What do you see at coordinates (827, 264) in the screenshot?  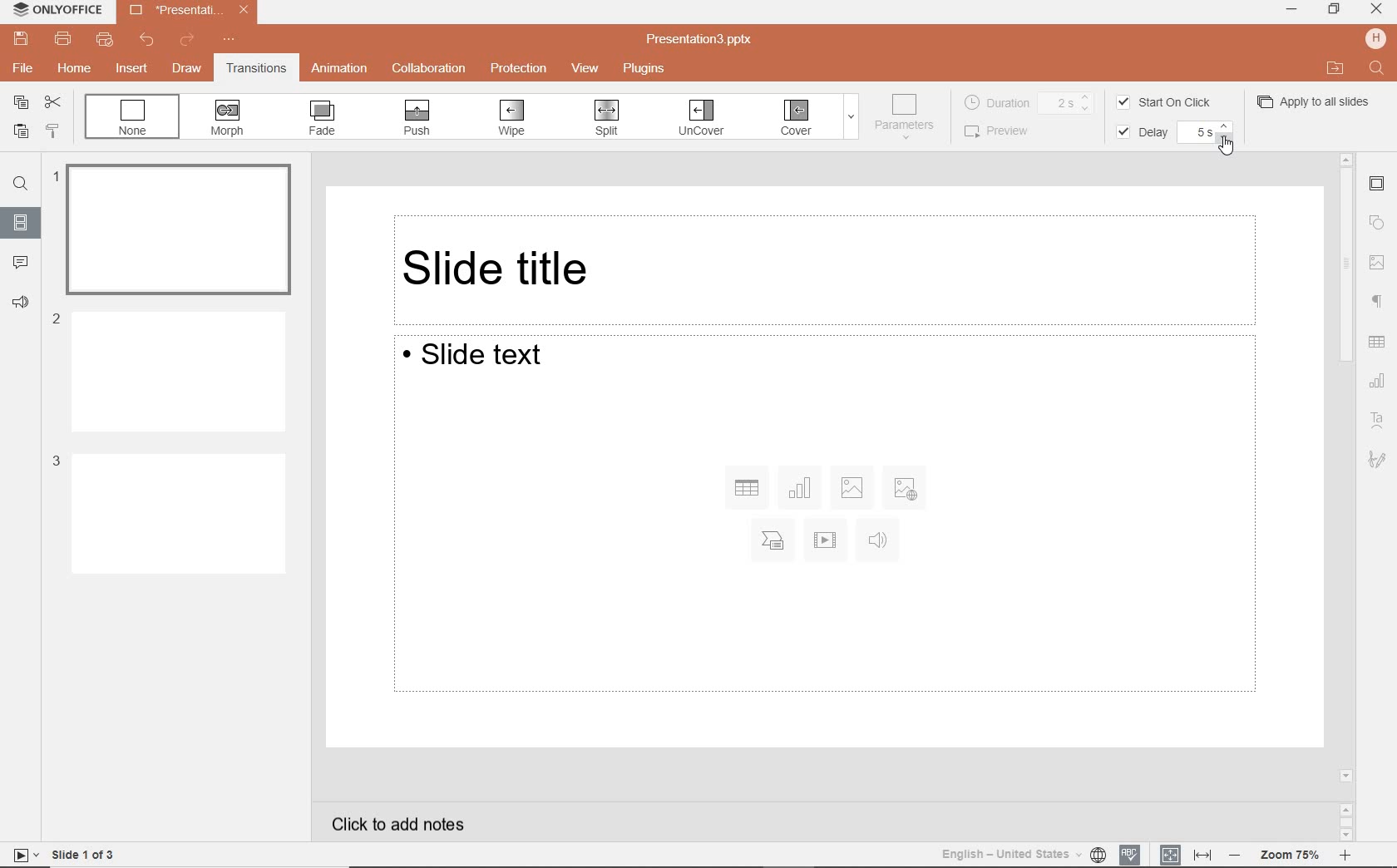 I see `Slide title` at bounding box center [827, 264].